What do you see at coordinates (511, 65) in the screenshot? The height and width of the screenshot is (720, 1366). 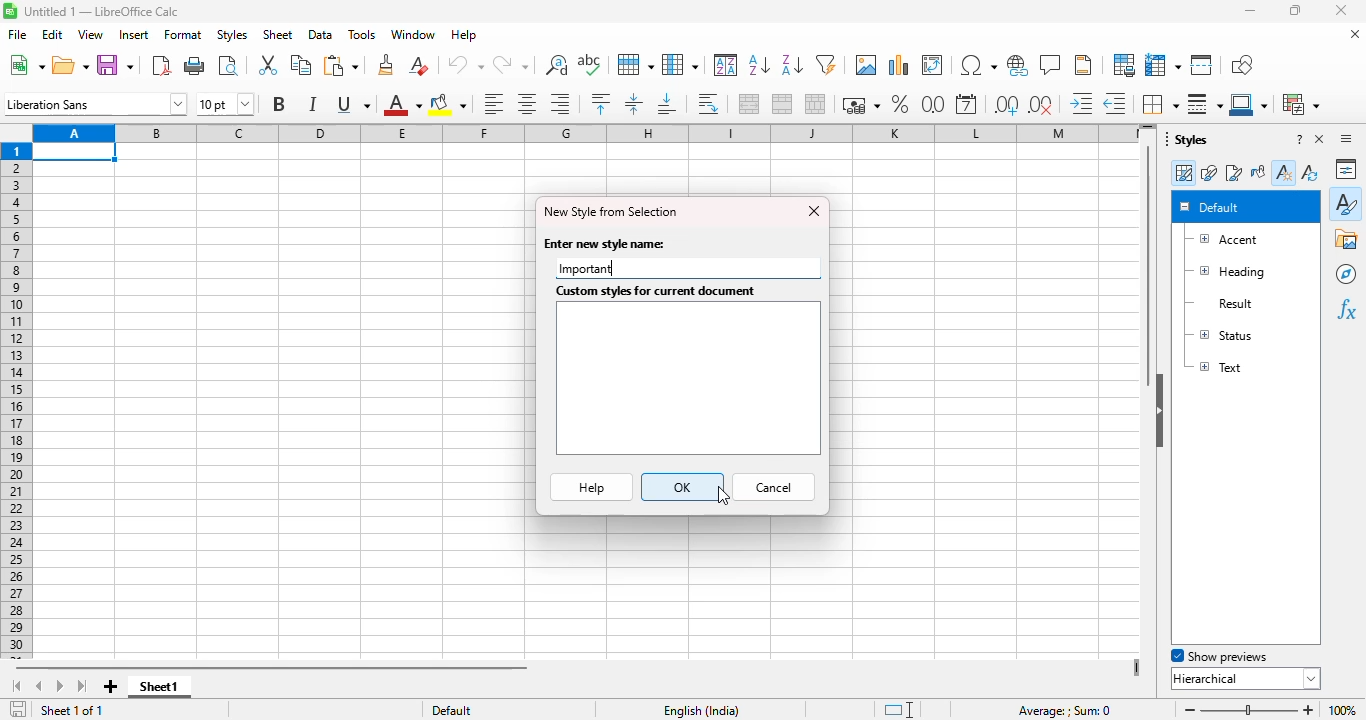 I see `redo` at bounding box center [511, 65].